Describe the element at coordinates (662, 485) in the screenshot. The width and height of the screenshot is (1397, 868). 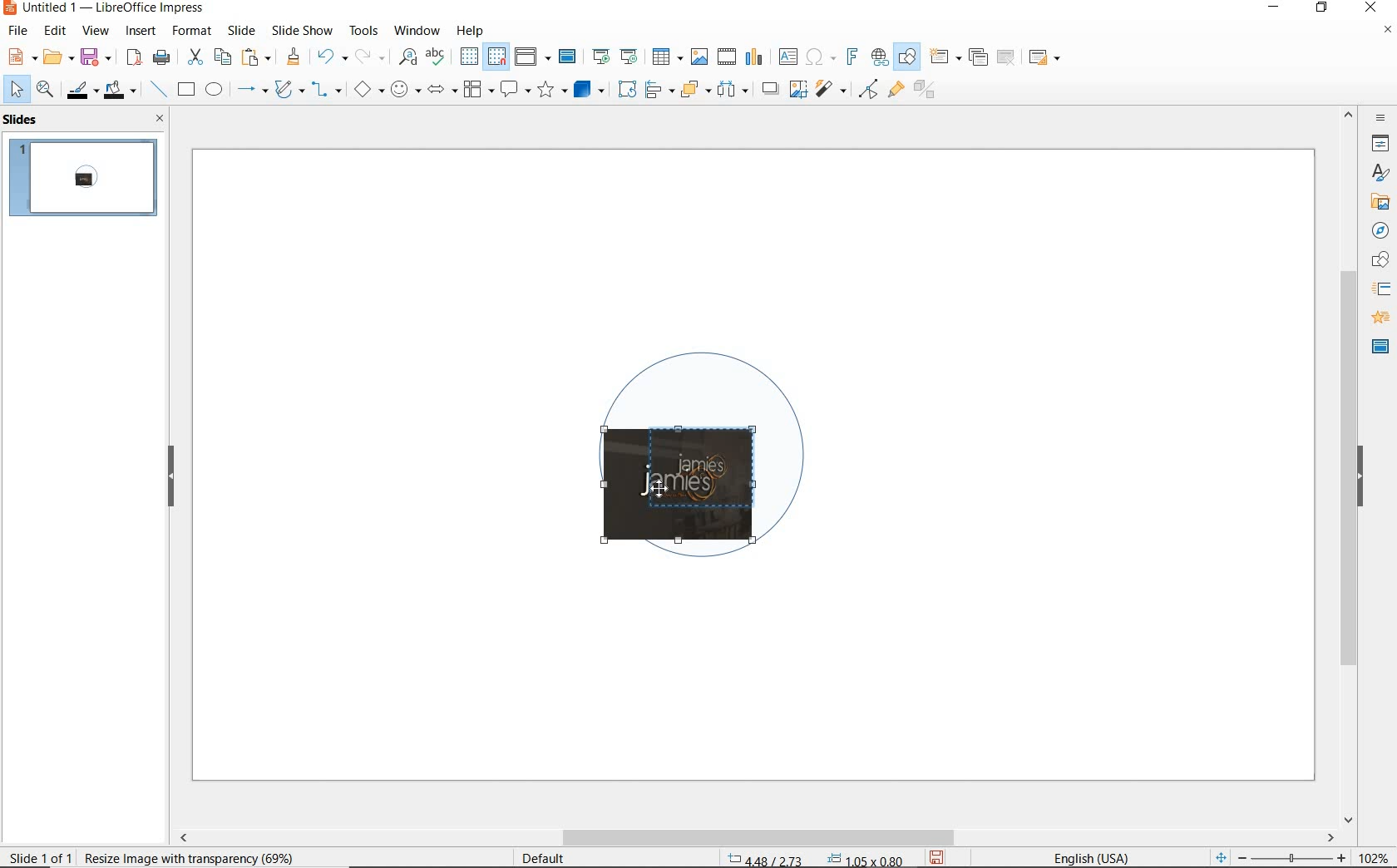
I see `Cursor` at that location.